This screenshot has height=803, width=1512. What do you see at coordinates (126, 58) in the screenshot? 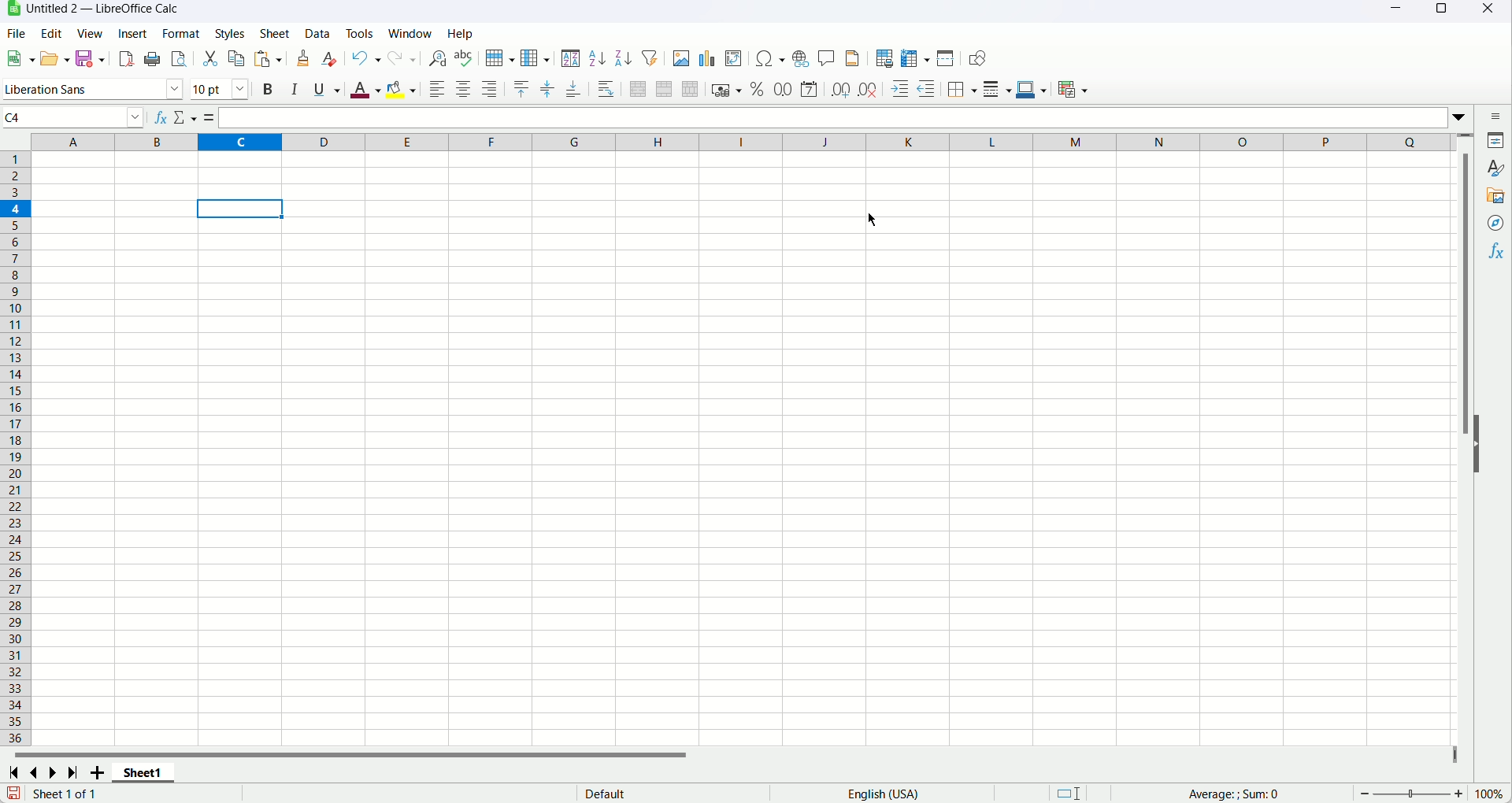
I see `Export as pdf` at bounding box center [126, 58].